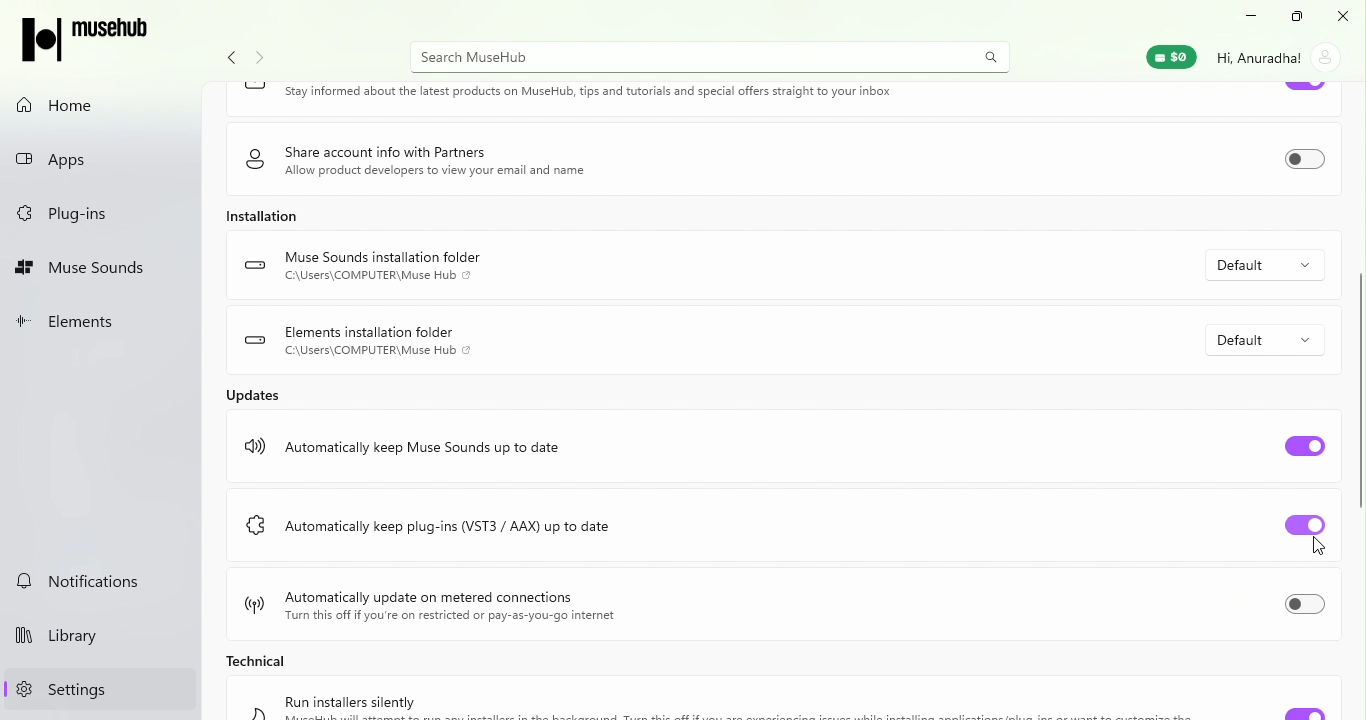  Describe the element at coordinates (1302, 712) in the screenshot. I see `Toggle` at that location.